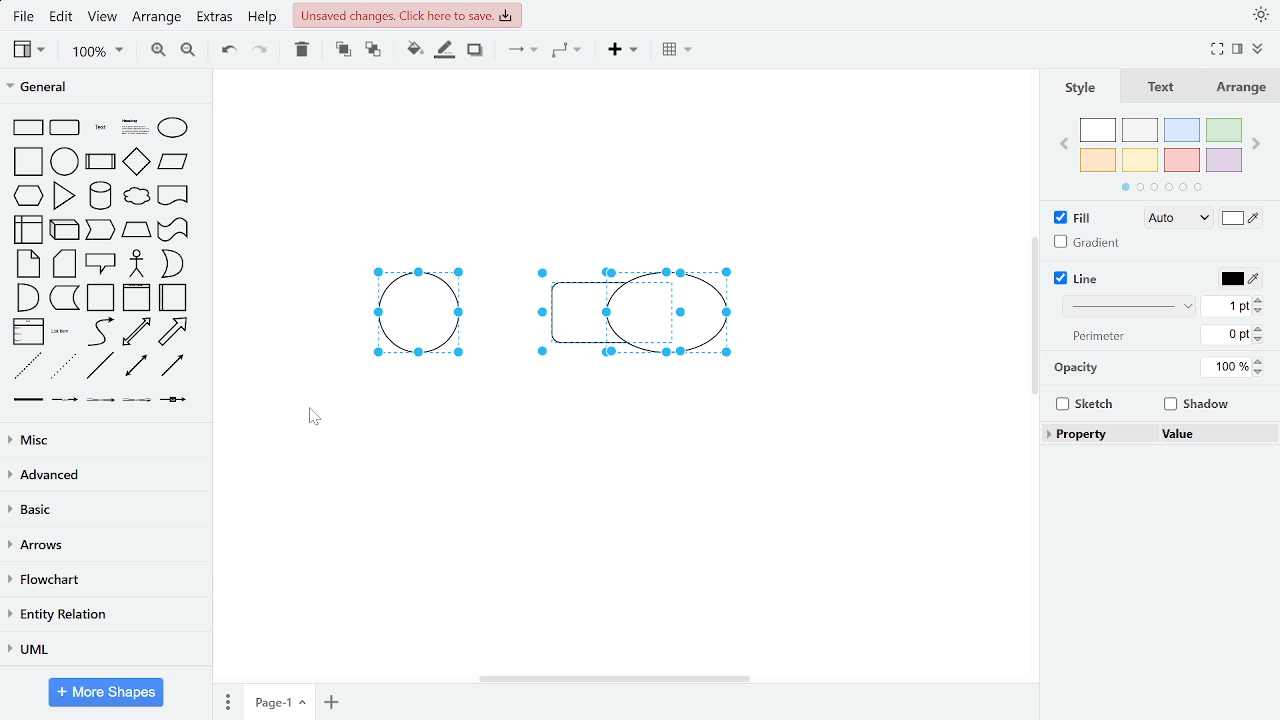 The width and height of the screenshot is (1280, 720). Describe the element at coordinates (1239, 278) in the screenshot. I see `line color` at that location.